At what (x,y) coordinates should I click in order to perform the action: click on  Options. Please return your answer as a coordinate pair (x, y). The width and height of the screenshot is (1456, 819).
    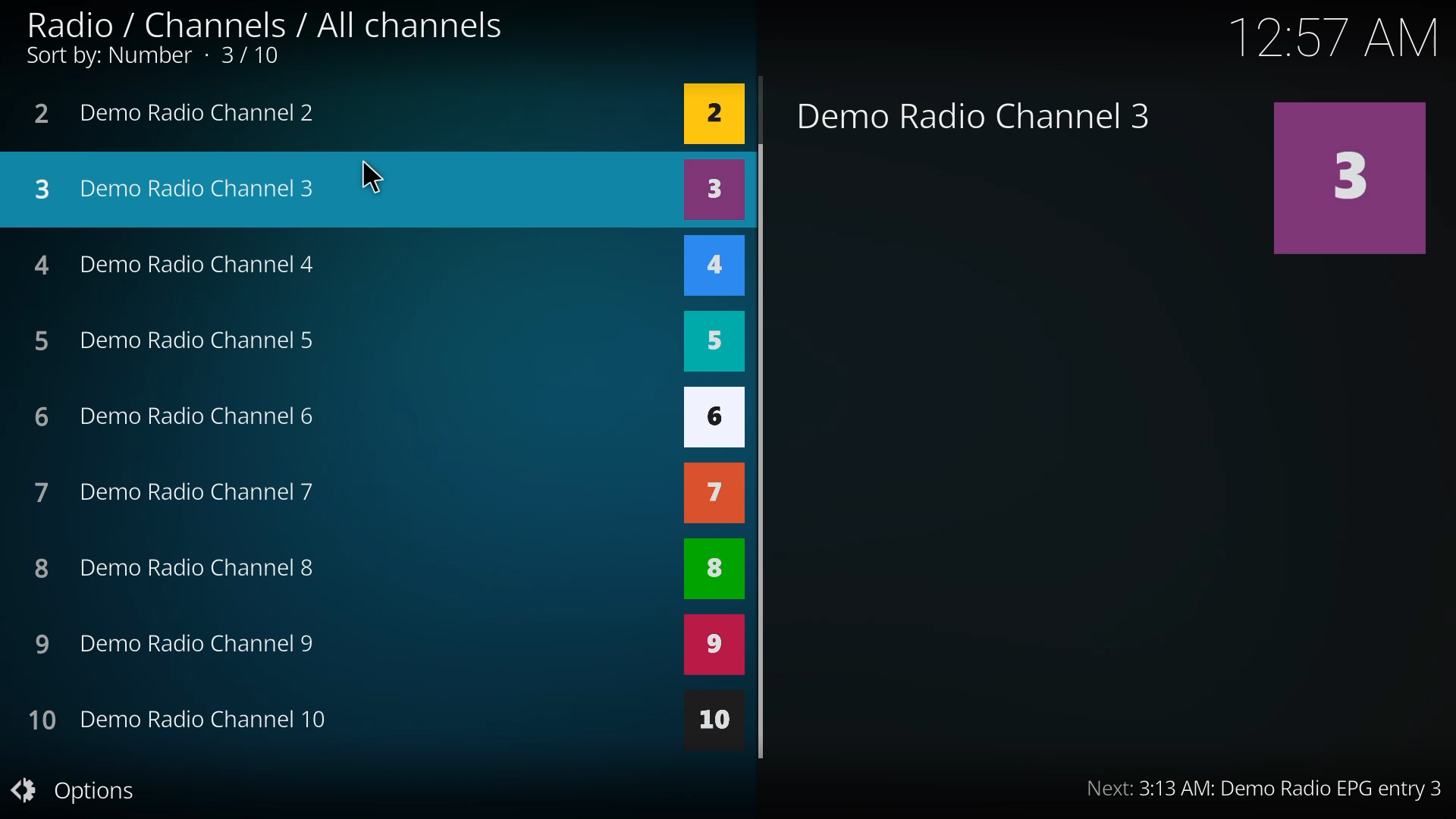
    Looking at the image, I should click on (83, 789).